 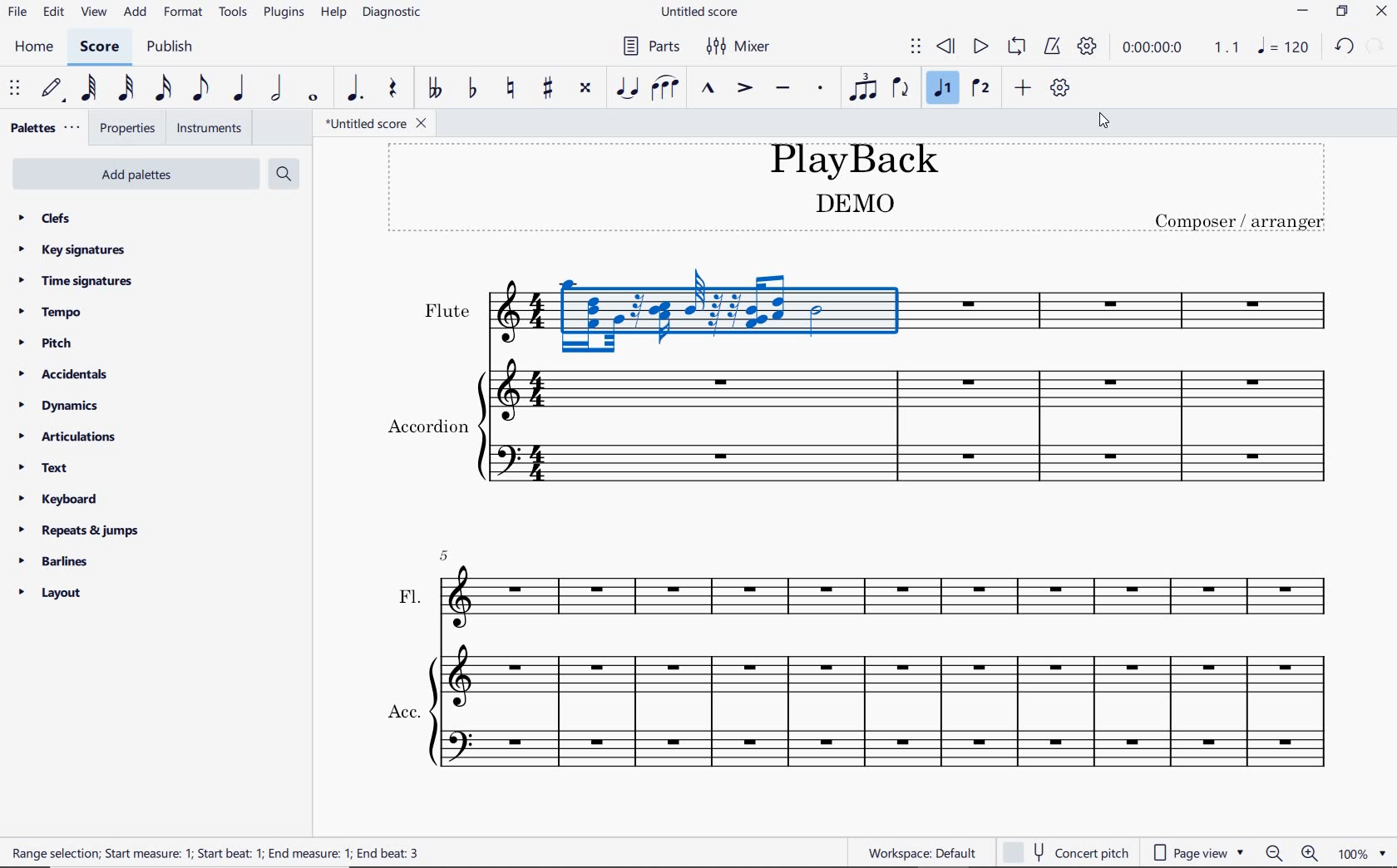 I want to click on clefs, so click(x=54, y=217).